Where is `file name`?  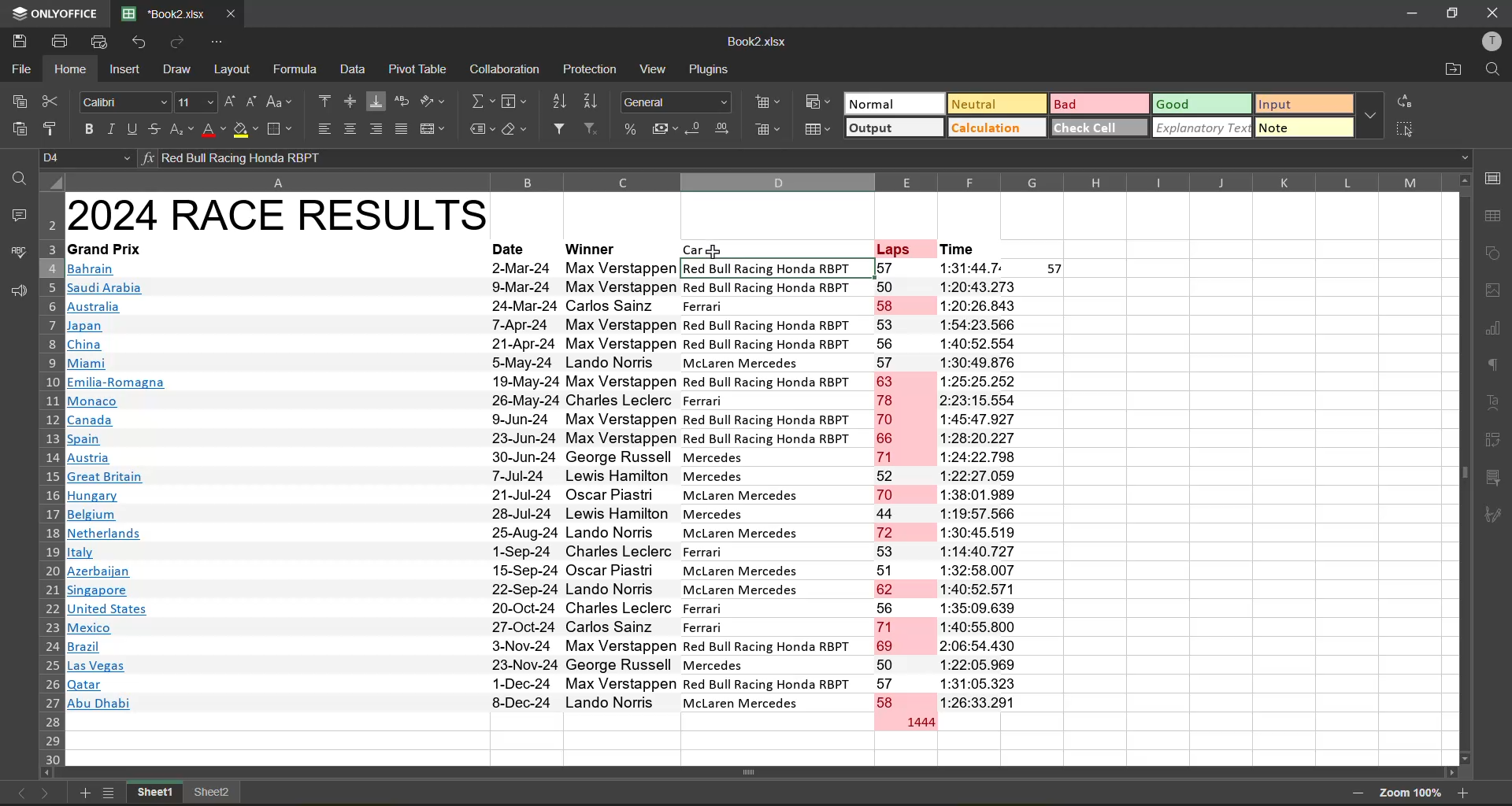 file name is located at coordinates (757, 41).